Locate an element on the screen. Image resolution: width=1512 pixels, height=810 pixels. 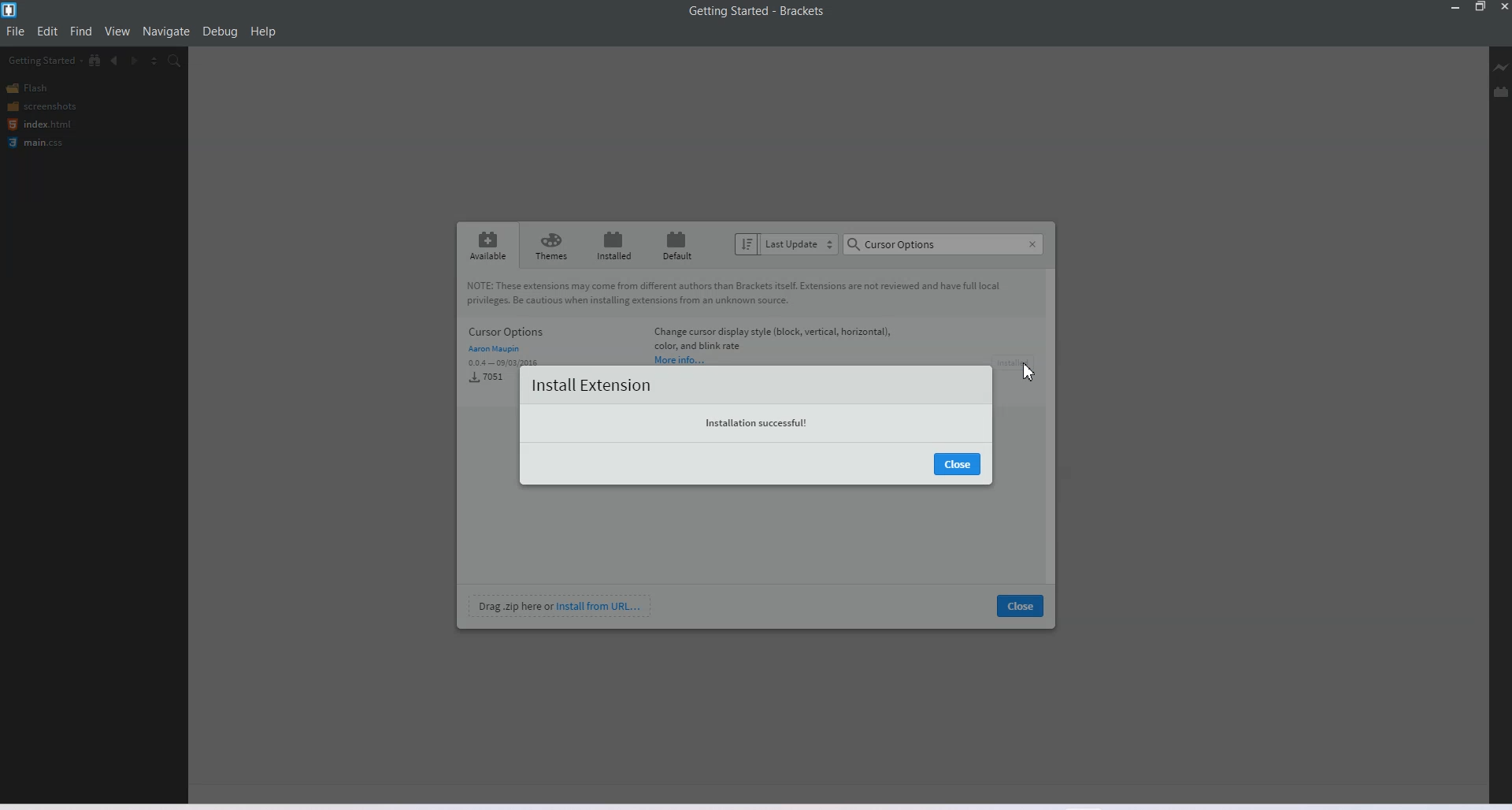
Debug is located at coordinates (220, 32).